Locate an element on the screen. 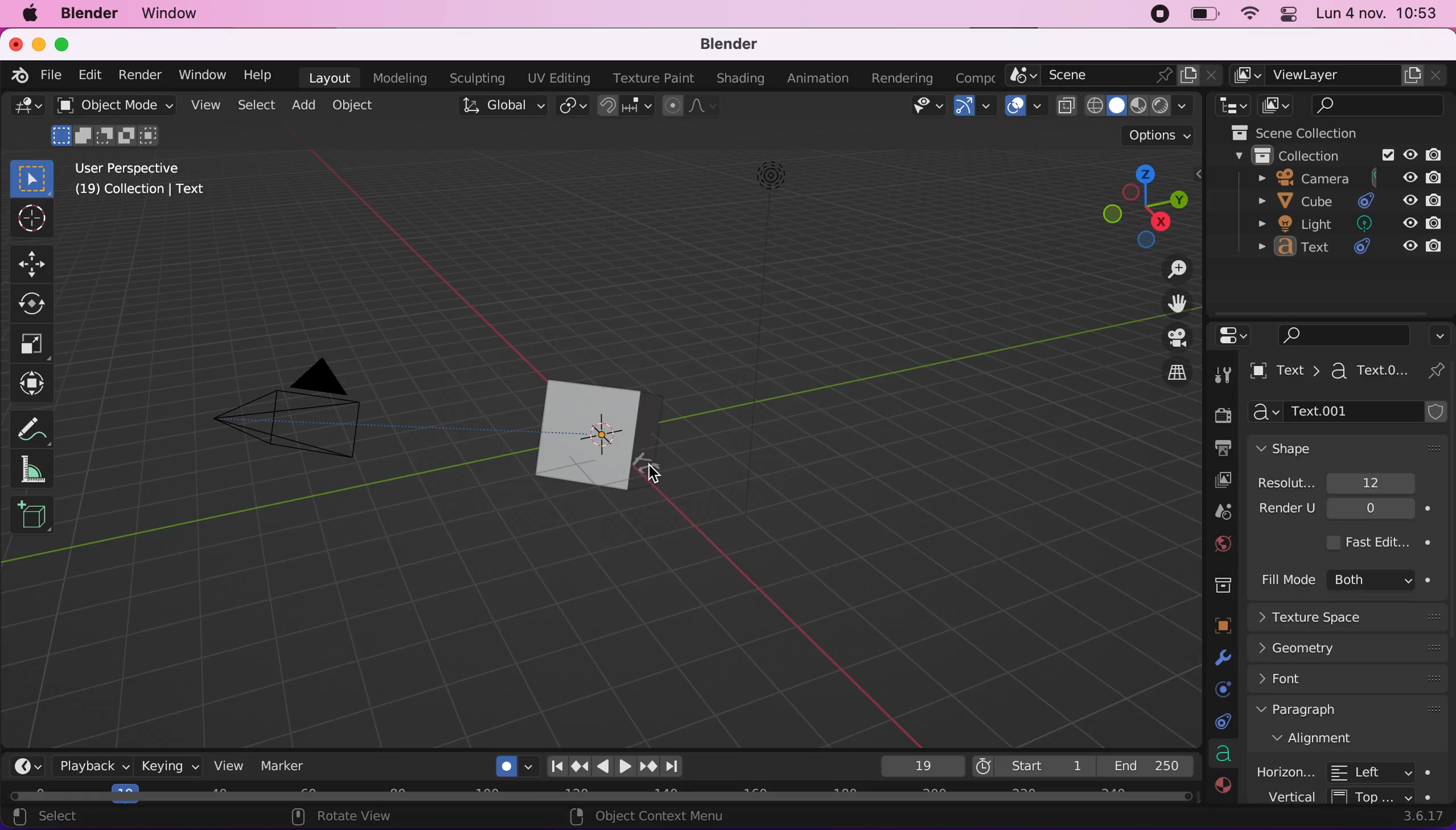  window is located at coordinates (180, 16).